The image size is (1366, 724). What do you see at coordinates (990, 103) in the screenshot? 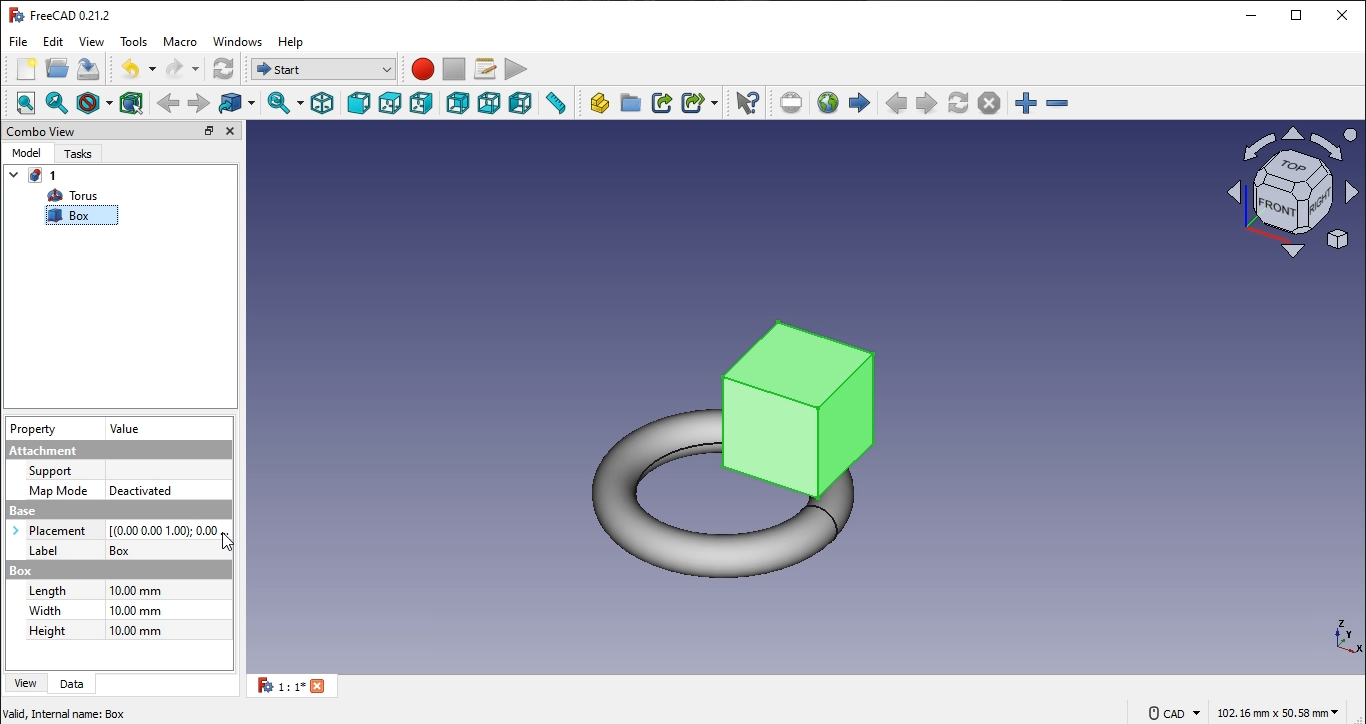
I see `stop loading` at bounding box center [990, 103].